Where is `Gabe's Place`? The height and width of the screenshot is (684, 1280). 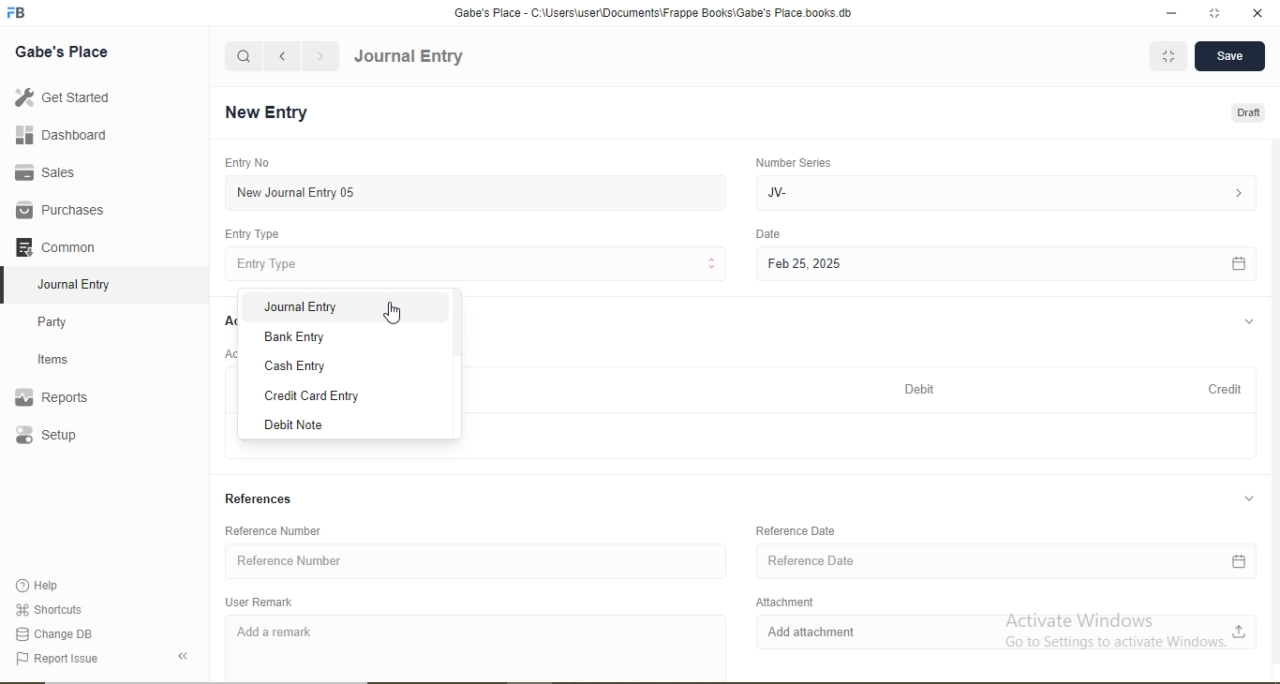
Gabe's Place is located at coordinates (64, 51).